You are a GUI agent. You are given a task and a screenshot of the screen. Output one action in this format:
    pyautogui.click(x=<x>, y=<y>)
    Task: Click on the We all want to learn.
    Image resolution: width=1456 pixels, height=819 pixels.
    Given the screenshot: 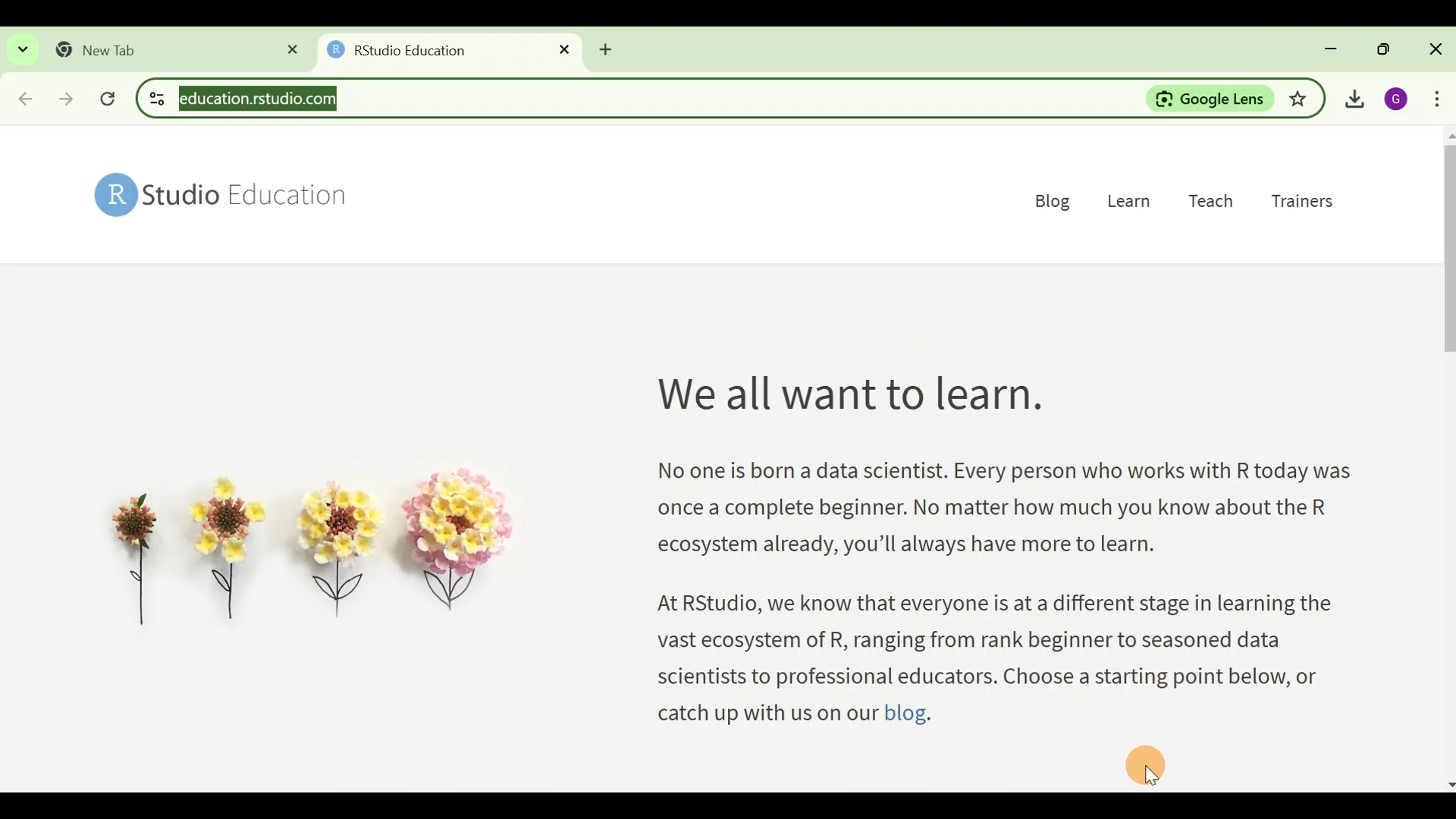 What is the action you would take?
    pyautogui.click(x=846, y=400)
    